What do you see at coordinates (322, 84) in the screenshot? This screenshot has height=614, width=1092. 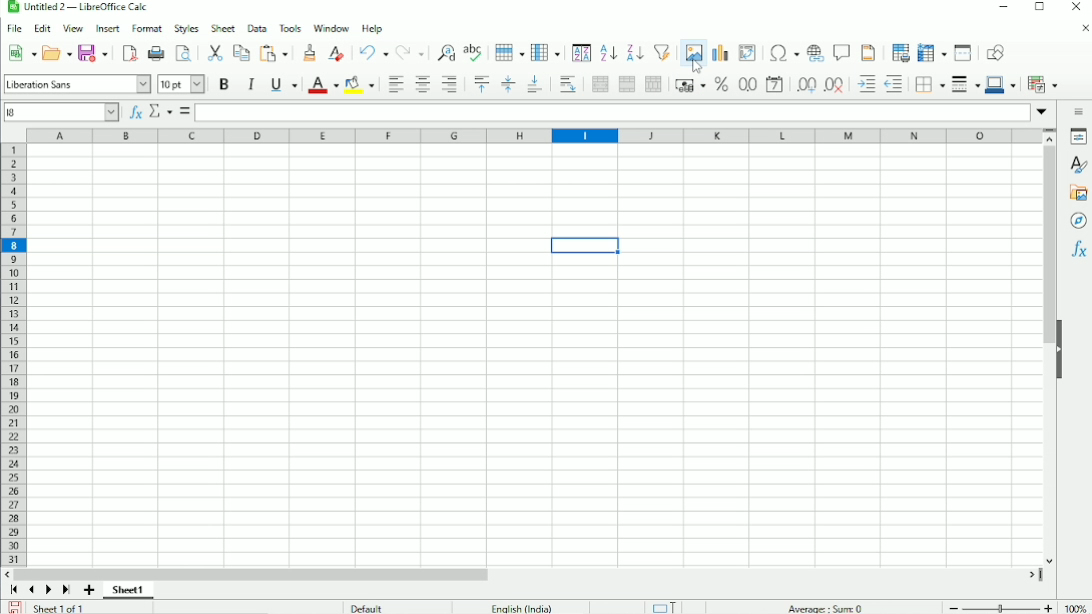 I see `Font color` at bounding box center [322, 84].